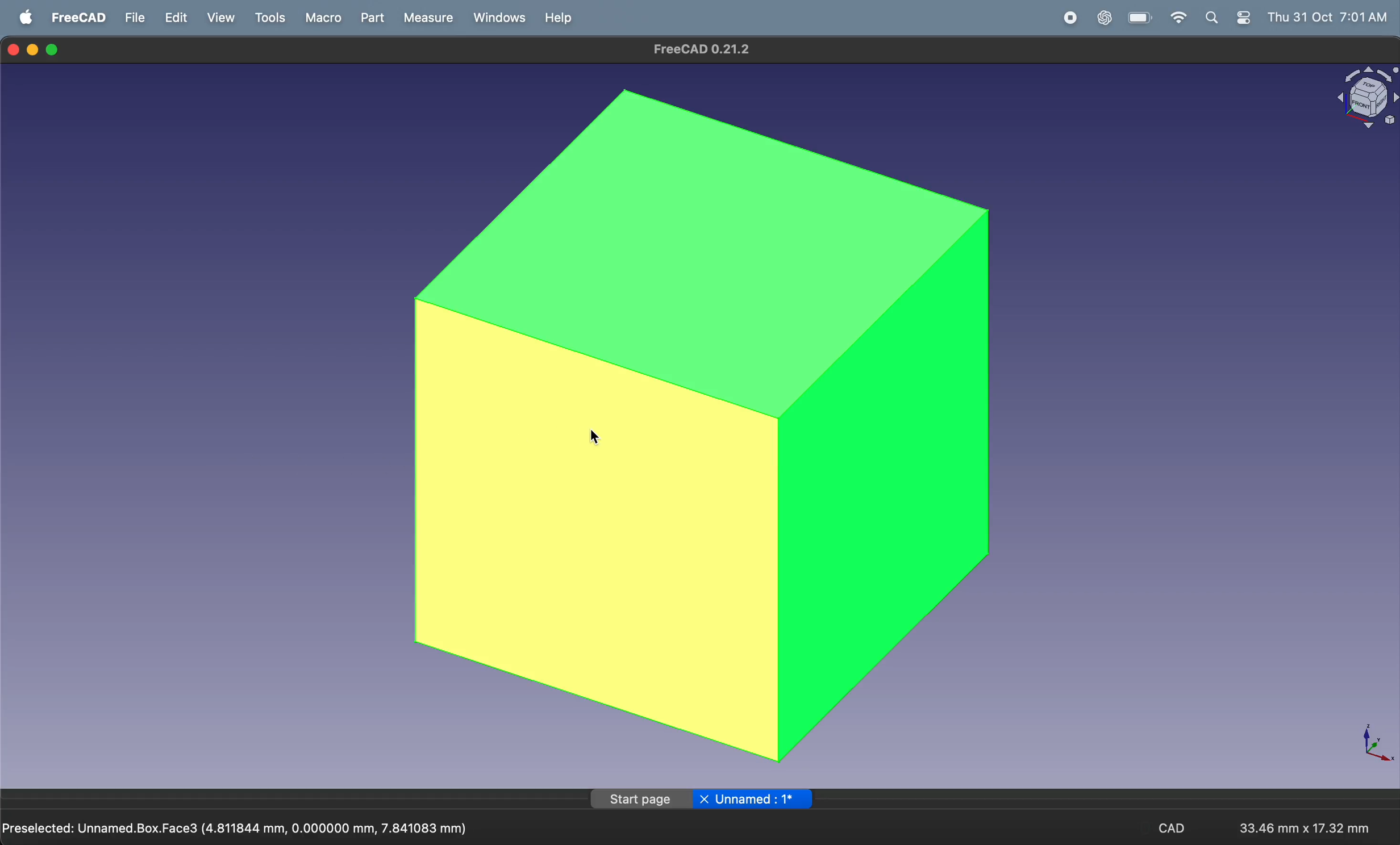 This screenshot has width=1400, height=845. What do you see at coordinates (35, 49) in the screenshot?
I see `minimize` at bounding box center [35, 49].